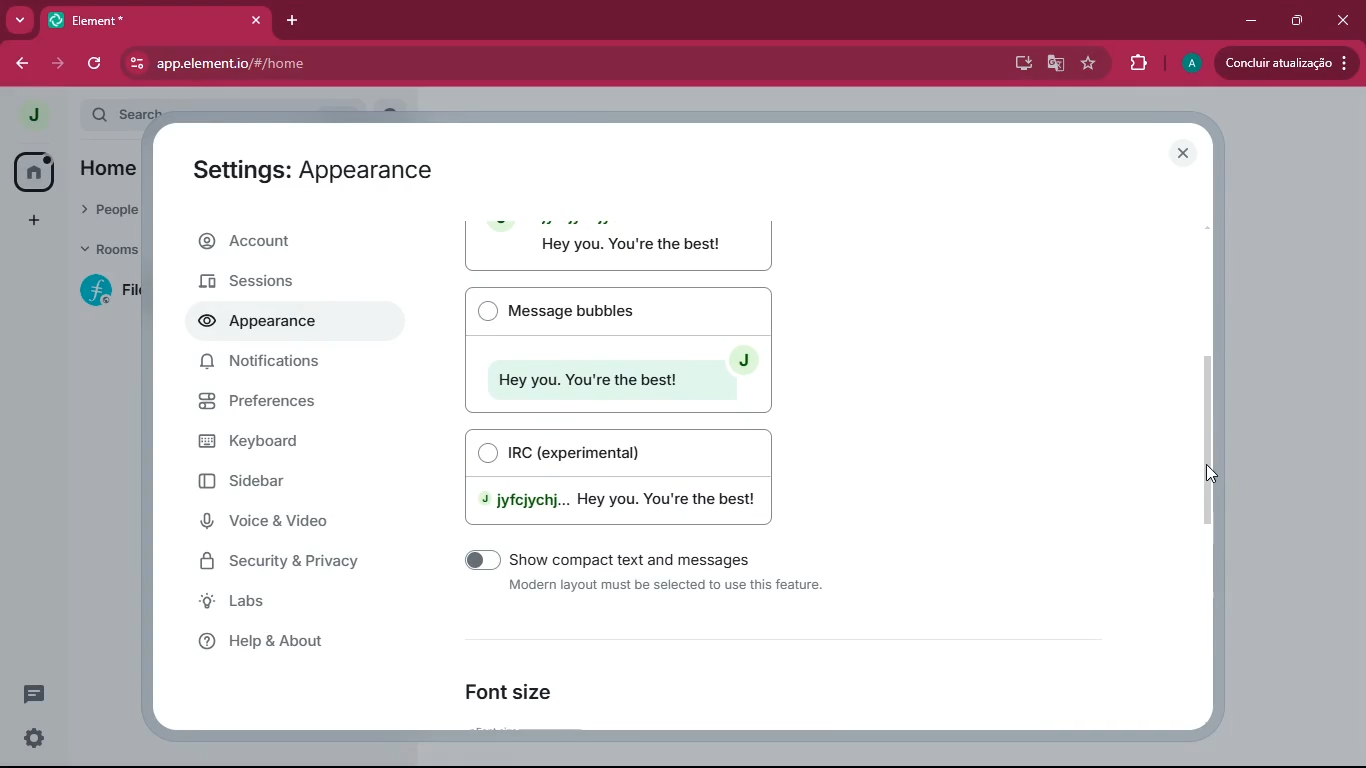 The height and width of the screenshot is (768, 1366). I want to click on sidebar, so click(298, 487).